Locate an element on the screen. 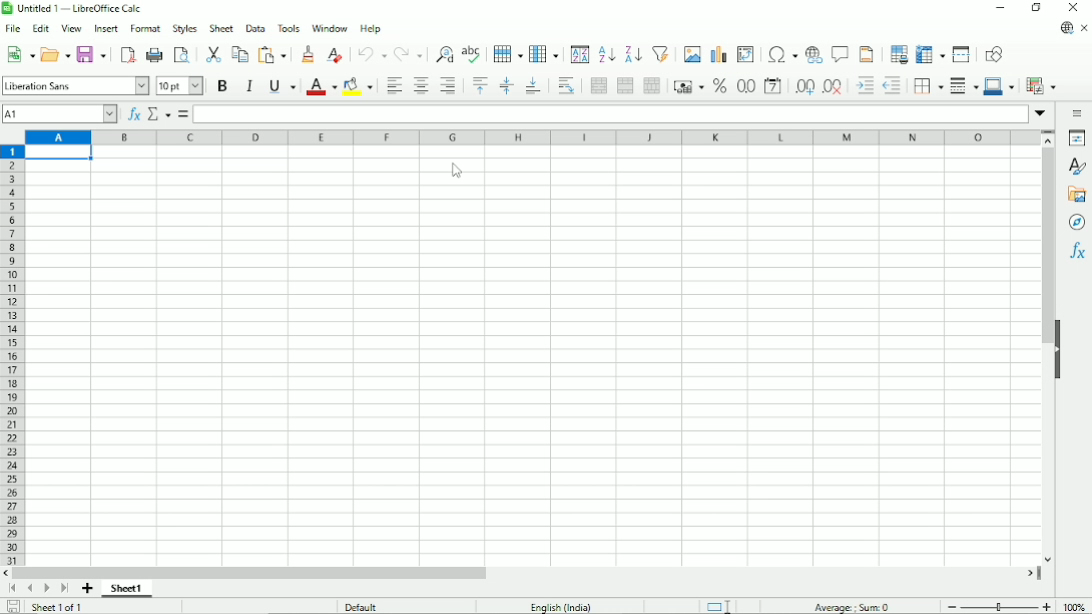 The image size is (1092, 614). Align left is located at coordinates (394, 86).